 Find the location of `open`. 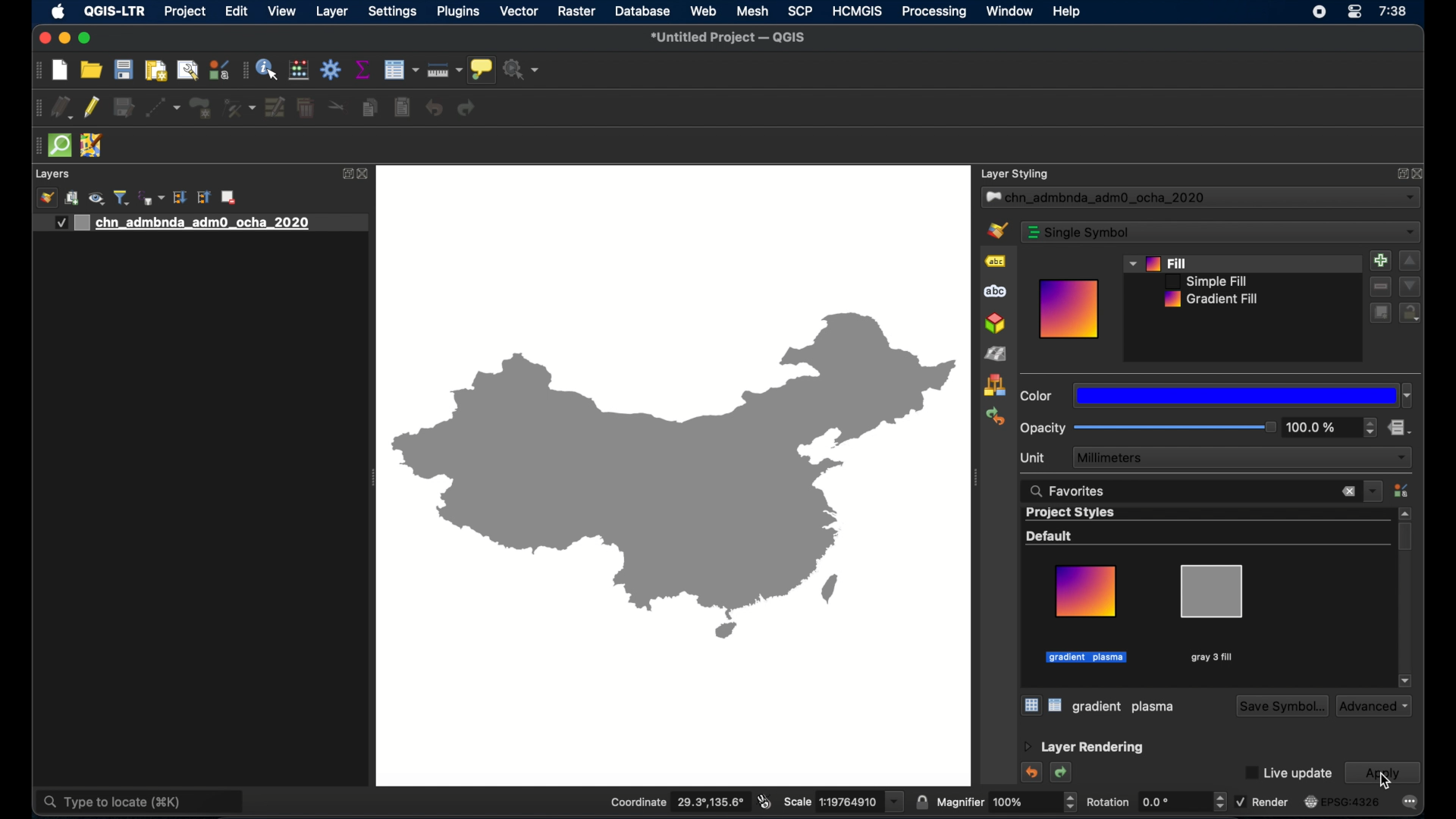

open is located at coordinates (92, 69).